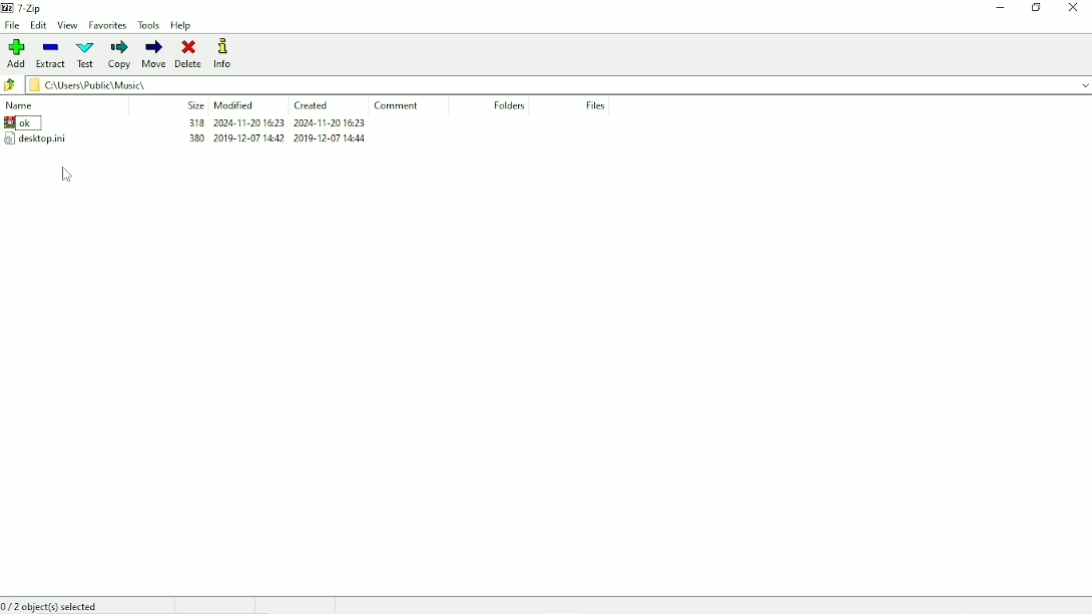 Image resolution: width=1092 pixels, height=614 pixels. What do you see at coordinates (40, 26) in the screenshot?
I see `Edit` at bounding box center [40, 26].